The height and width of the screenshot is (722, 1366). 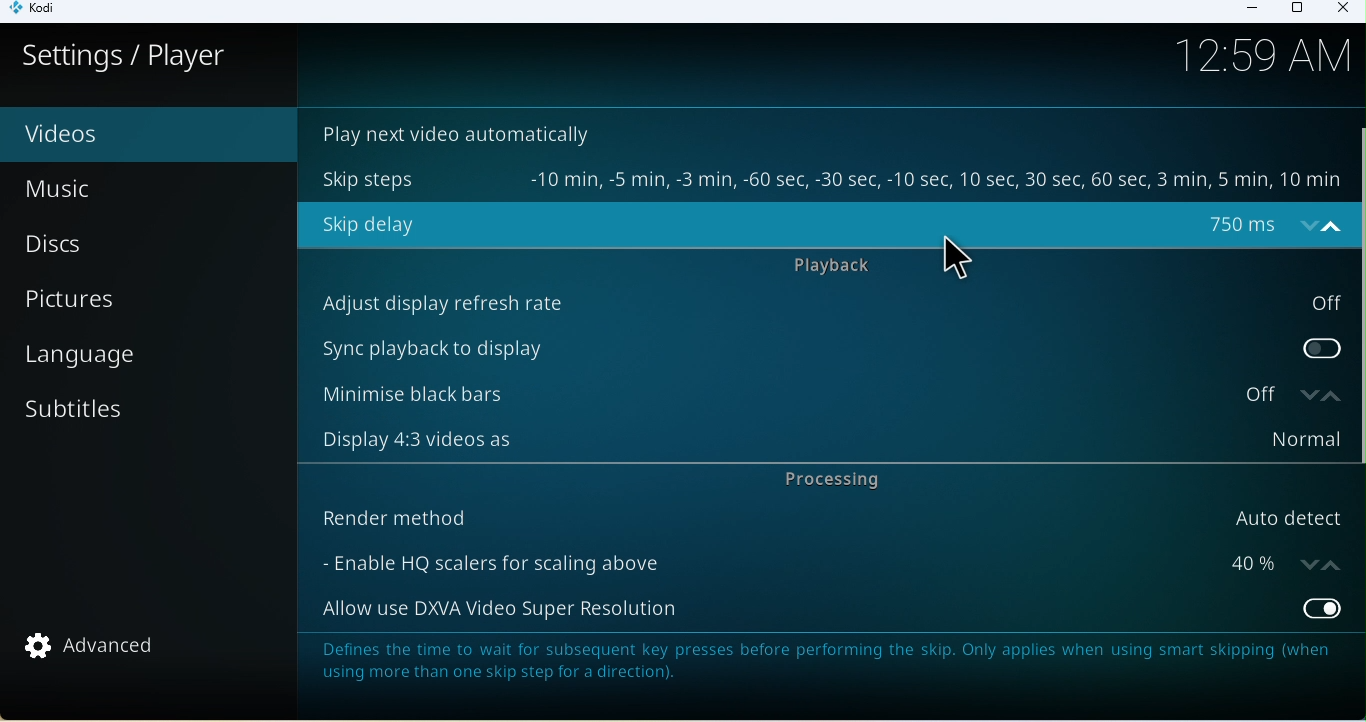 I want to click on Allow use DXVA video super resolution, so click(x=829, y=608).